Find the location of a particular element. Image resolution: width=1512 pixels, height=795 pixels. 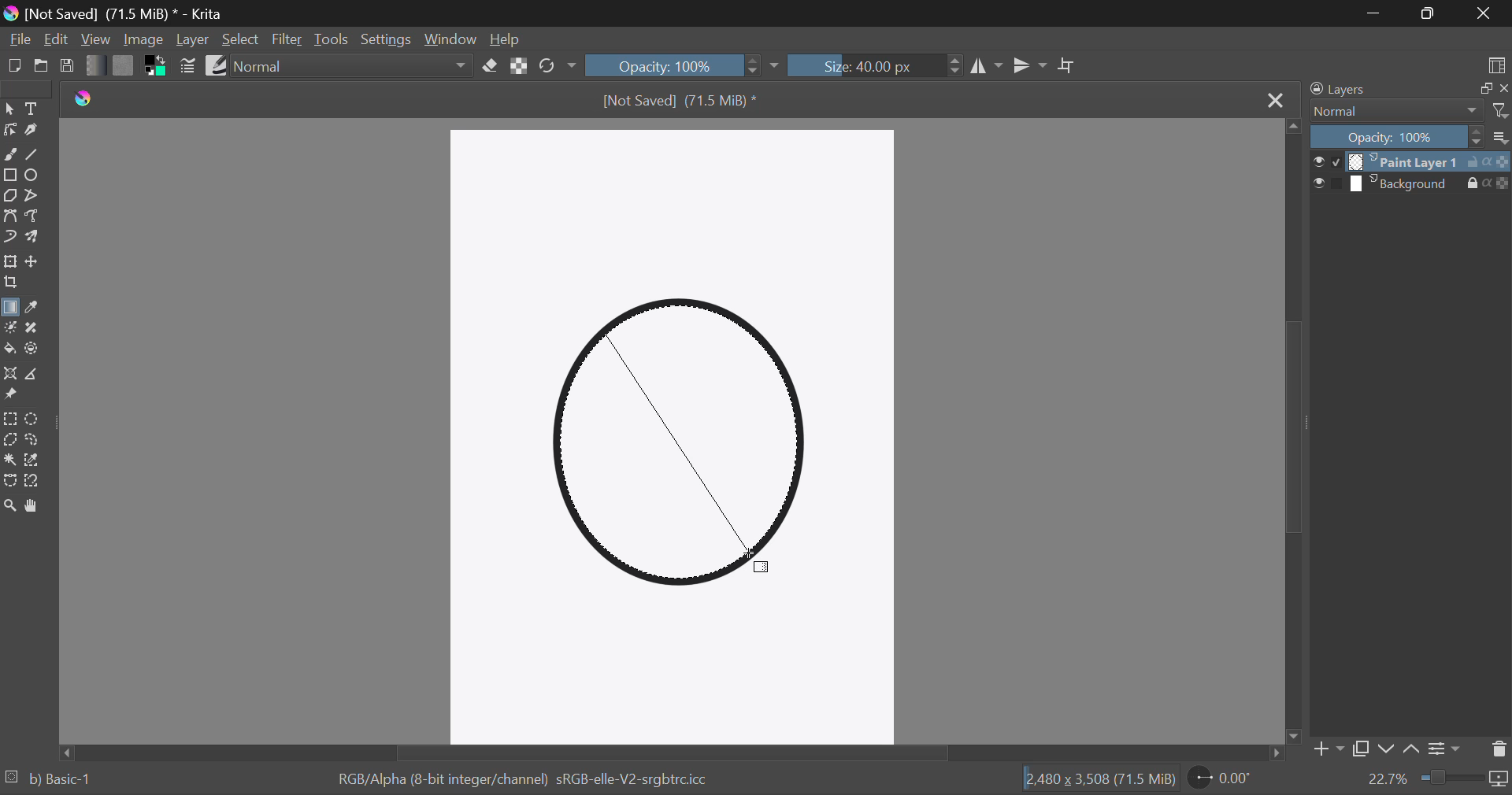

File is located at coordinates (18, 39).